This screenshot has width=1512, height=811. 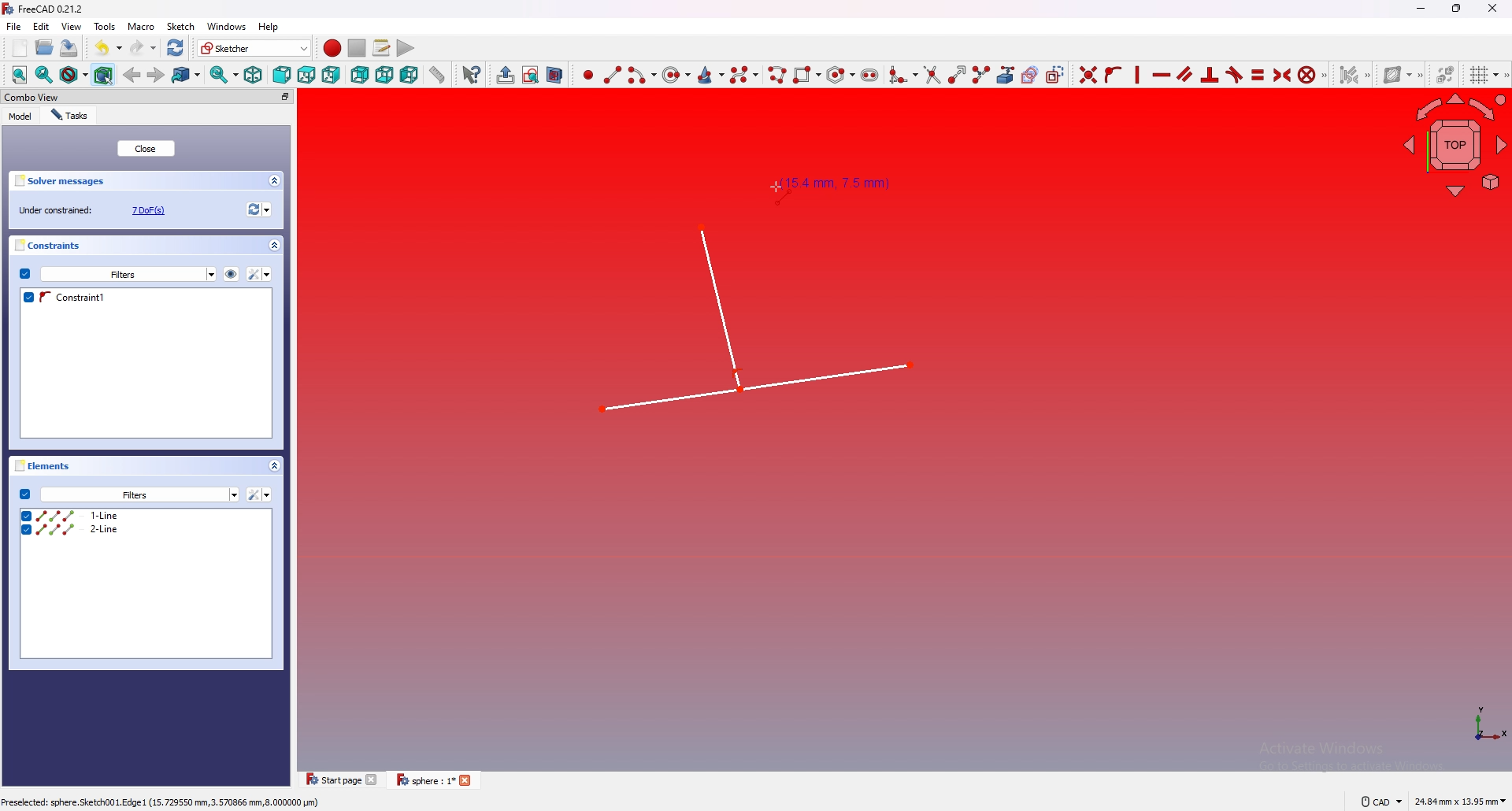 I want to click on Create regular polygon, so click(x=839, y=75).